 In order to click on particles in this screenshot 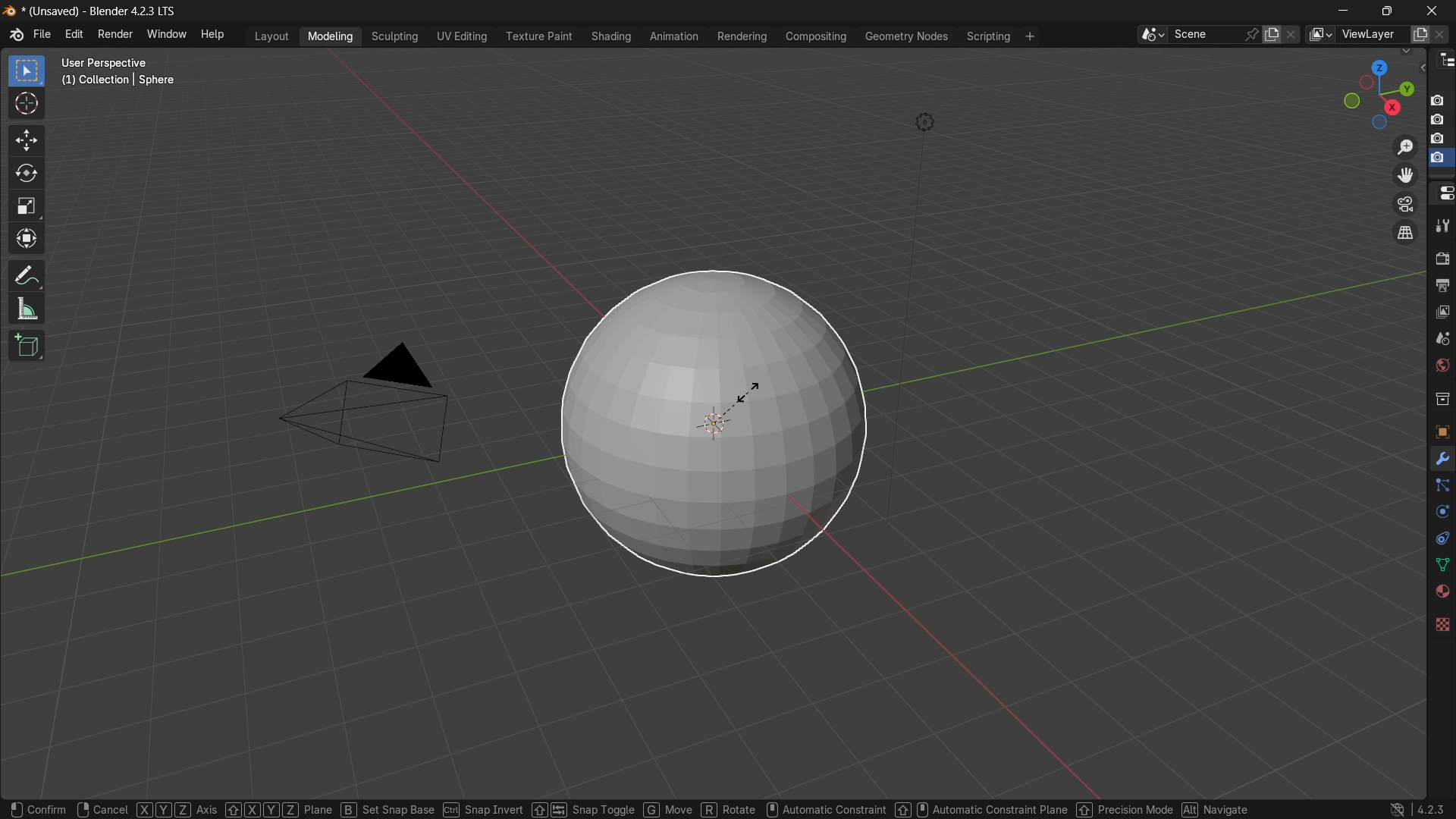, I will do `click(1442, 489)`.